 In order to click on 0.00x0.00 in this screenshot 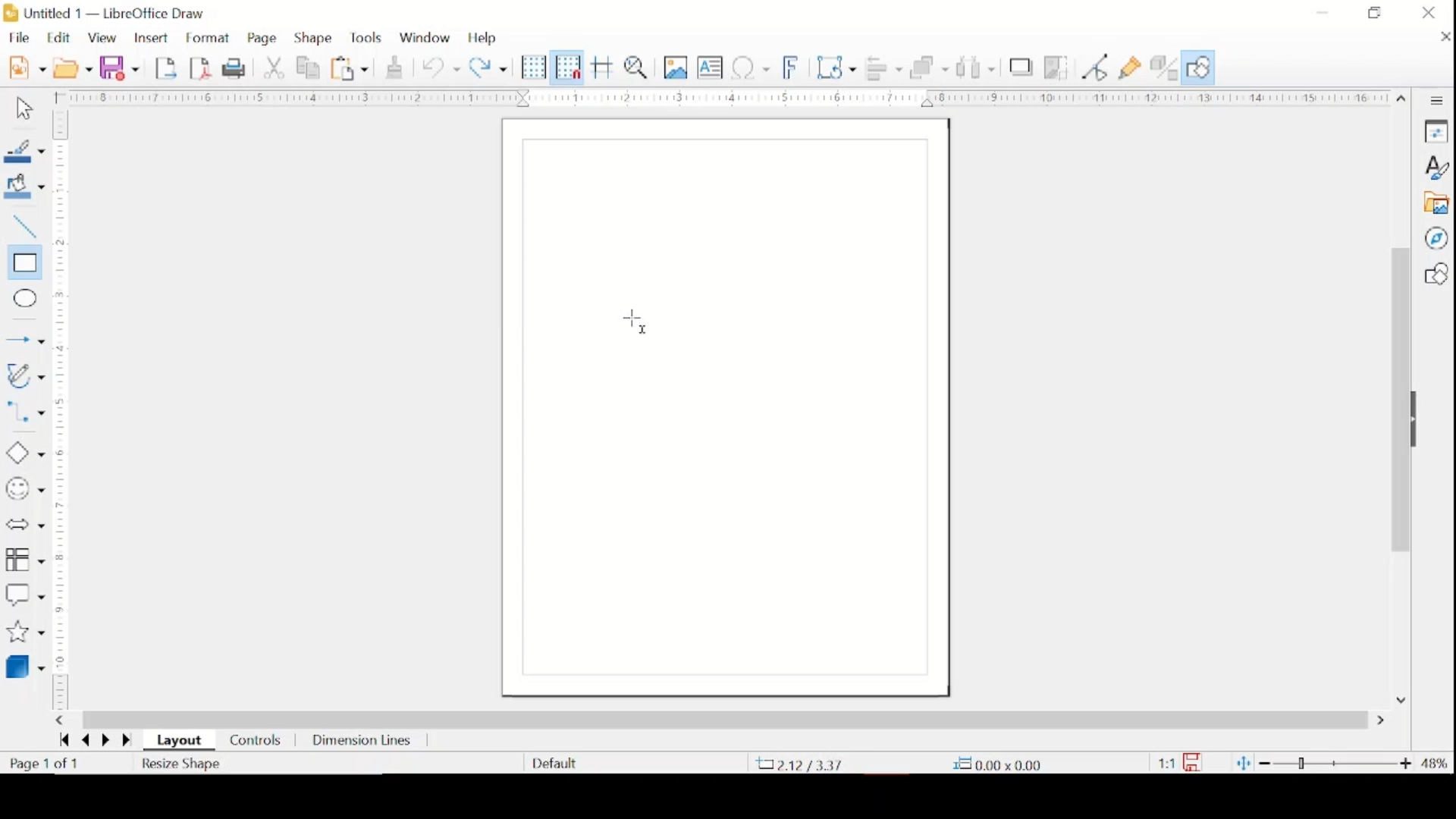, I will do `click(997, 764)`.